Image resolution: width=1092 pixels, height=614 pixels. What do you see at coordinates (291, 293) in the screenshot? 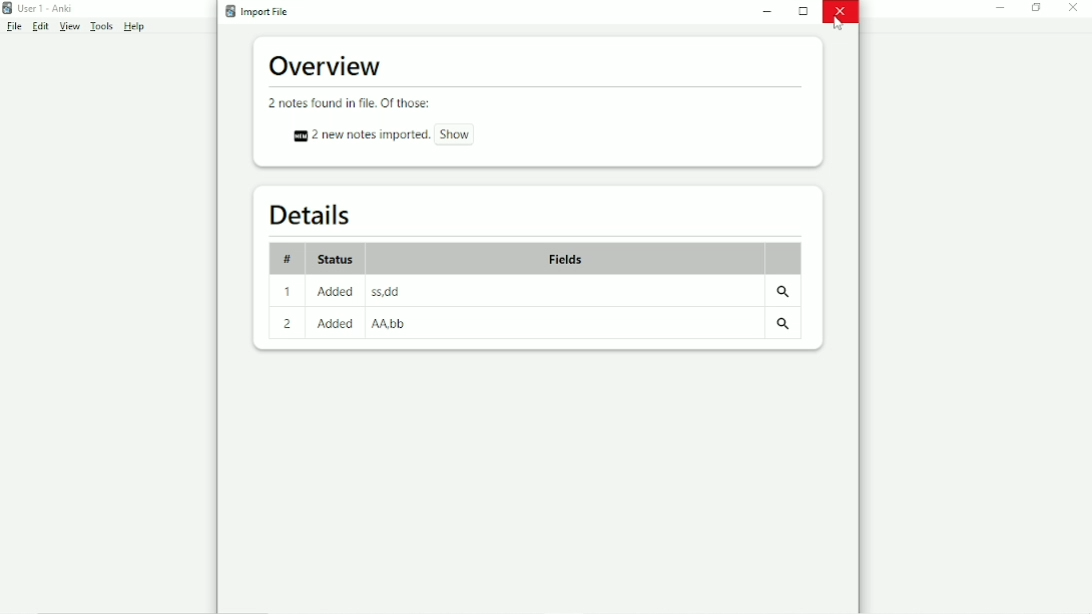
I see `1` at bounding box center [291, 293].